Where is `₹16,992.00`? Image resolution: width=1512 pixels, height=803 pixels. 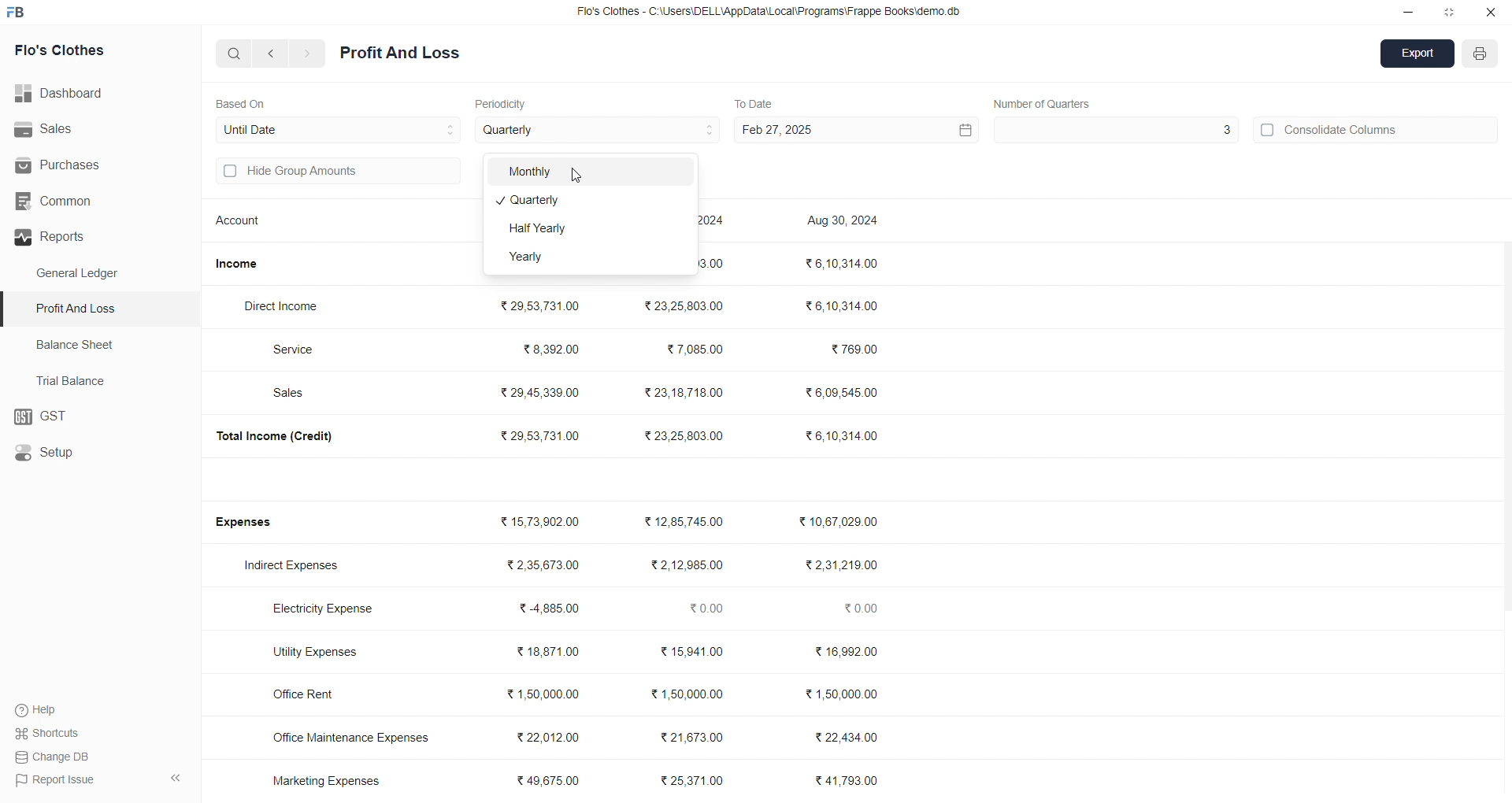 ₹16,992.00 is located at coordinates (847, 652).